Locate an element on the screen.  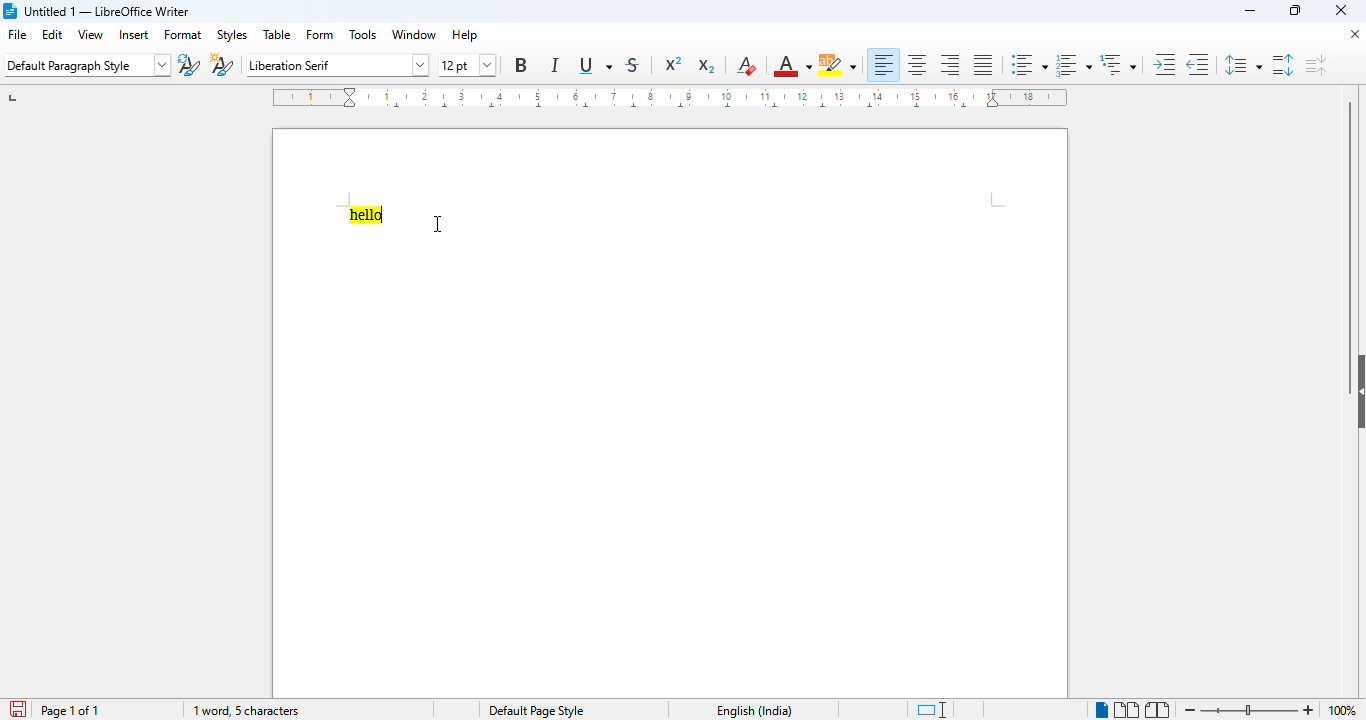
1 word, 5 characters is located at coordinates (246, 711).